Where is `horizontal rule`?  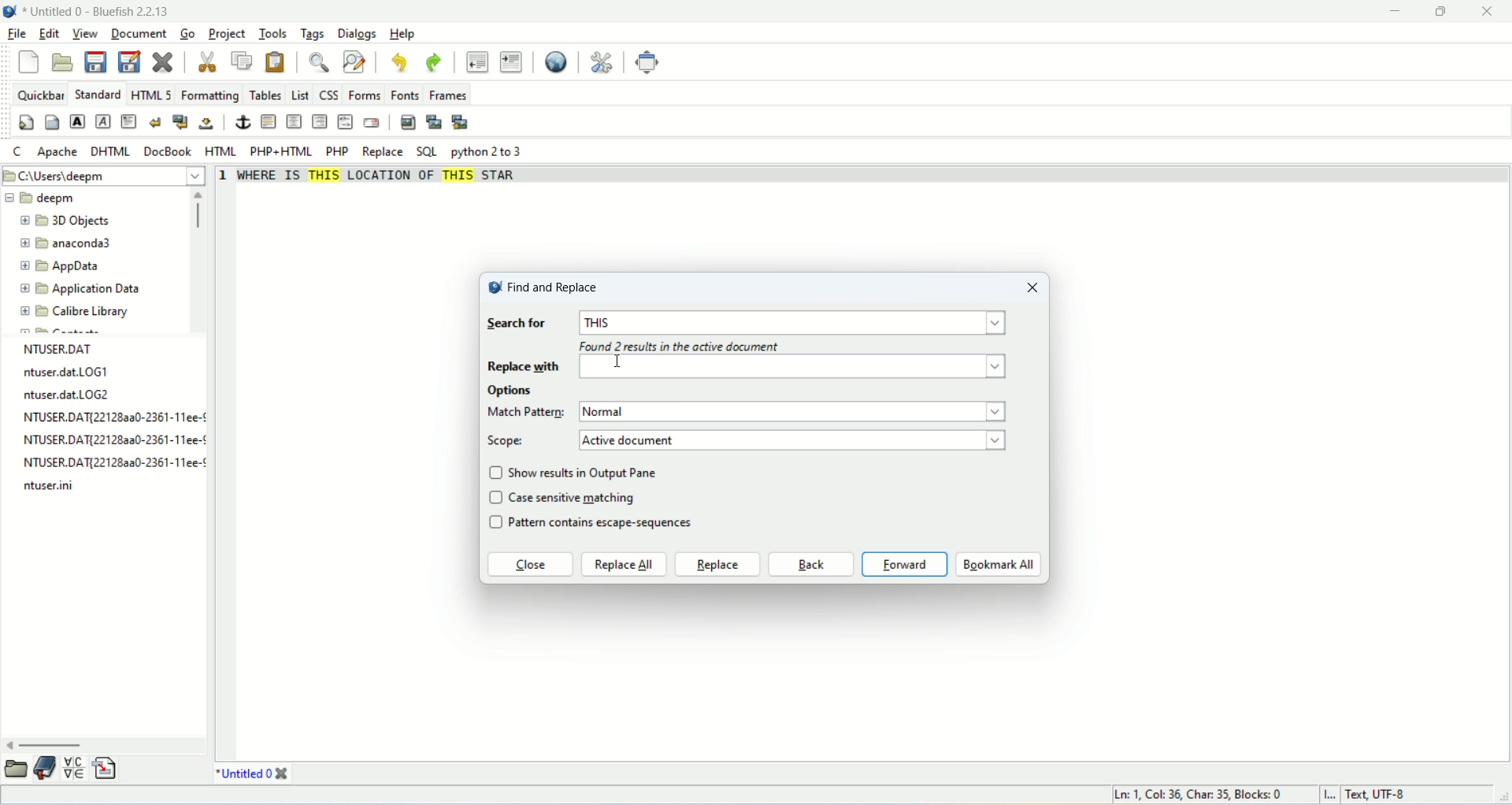
horizontal rule is located at coordinates (270, 121).